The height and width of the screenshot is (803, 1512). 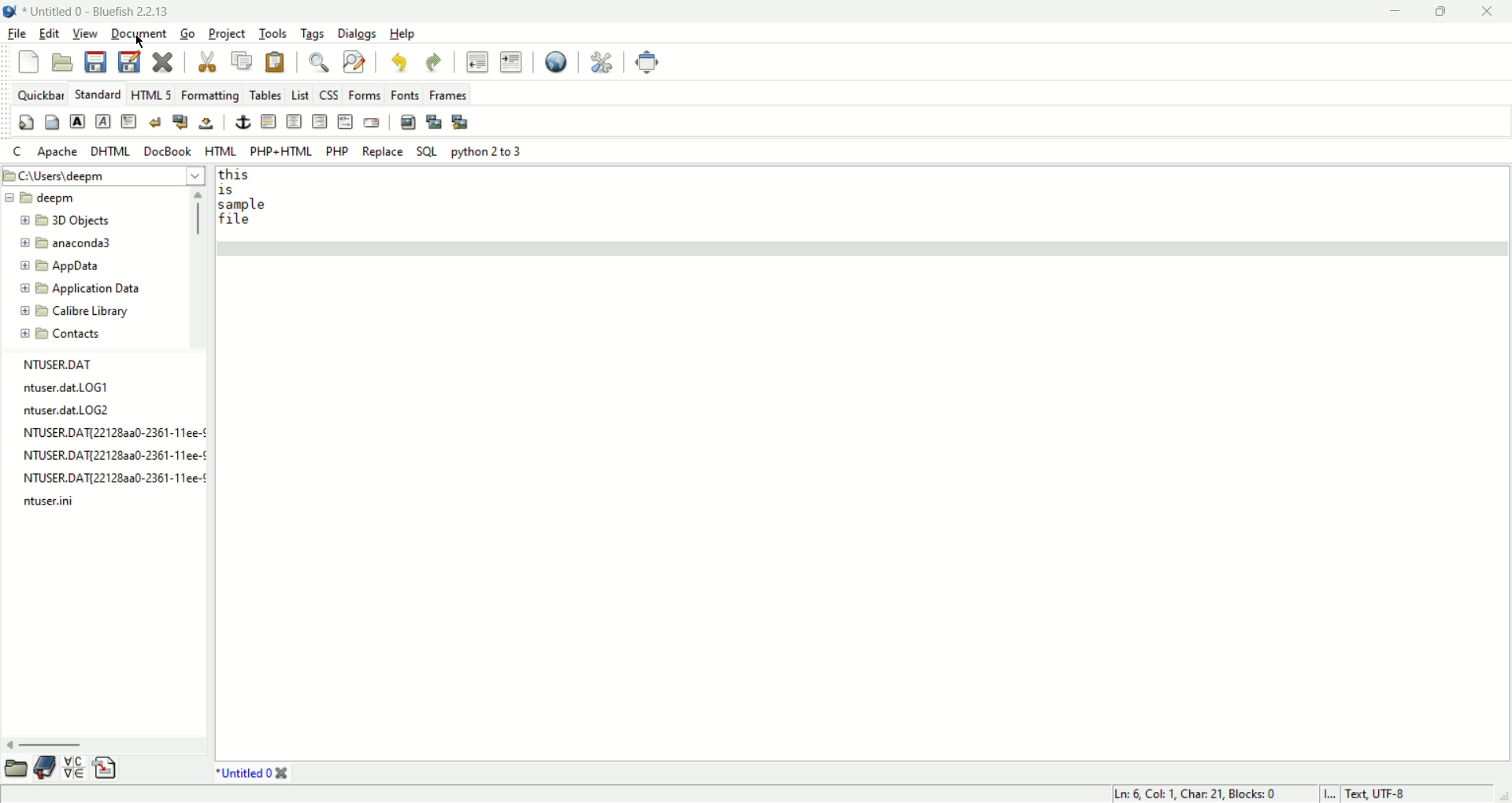 What do you see at coordinates (110, 767) in the screenshot?
I see `insert file` at bounding box center [110, 767].